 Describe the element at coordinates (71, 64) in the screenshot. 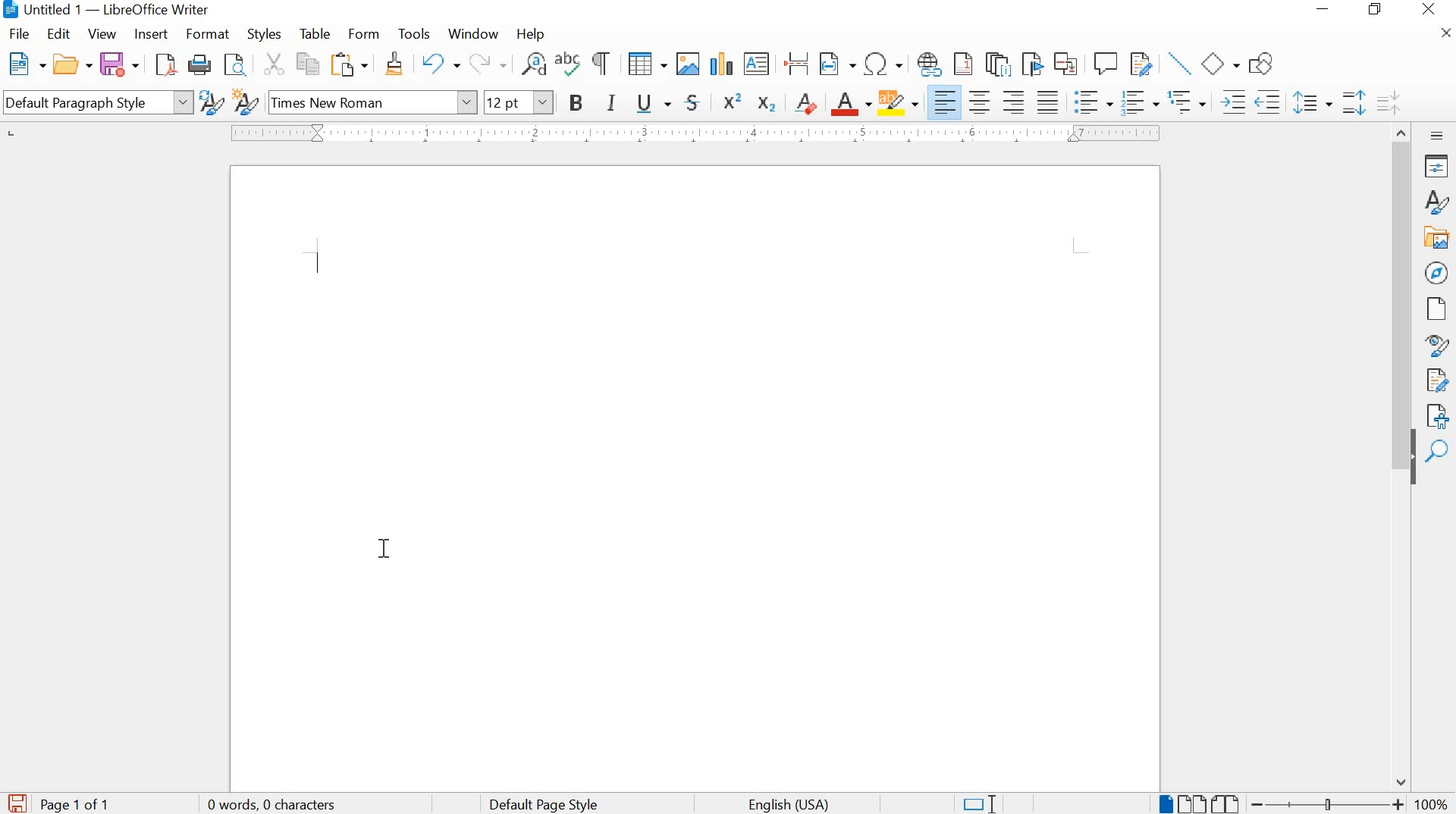

I see `OPEN` at that location.